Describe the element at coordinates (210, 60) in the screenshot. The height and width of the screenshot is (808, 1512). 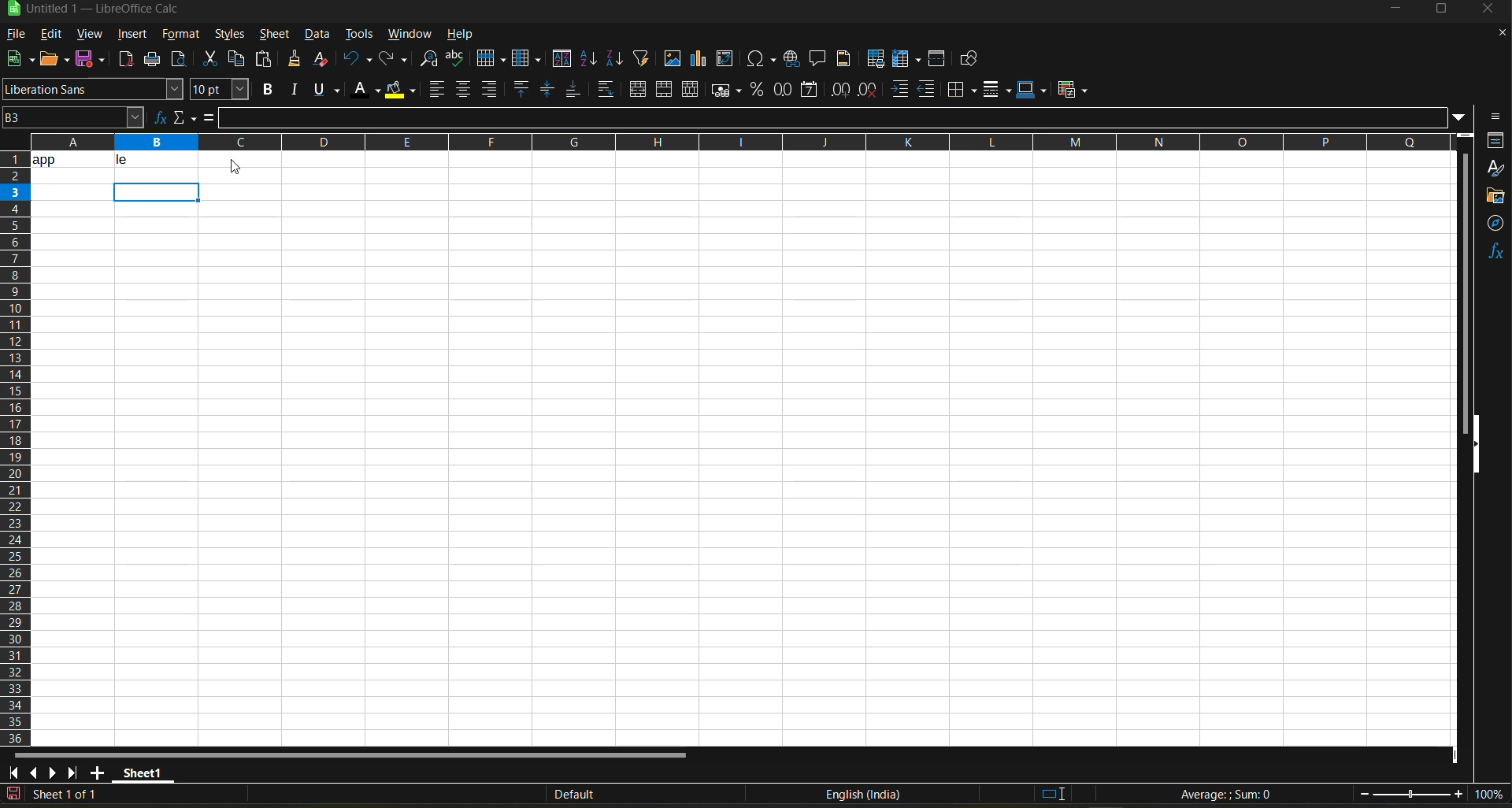
I see `cut` at that location.